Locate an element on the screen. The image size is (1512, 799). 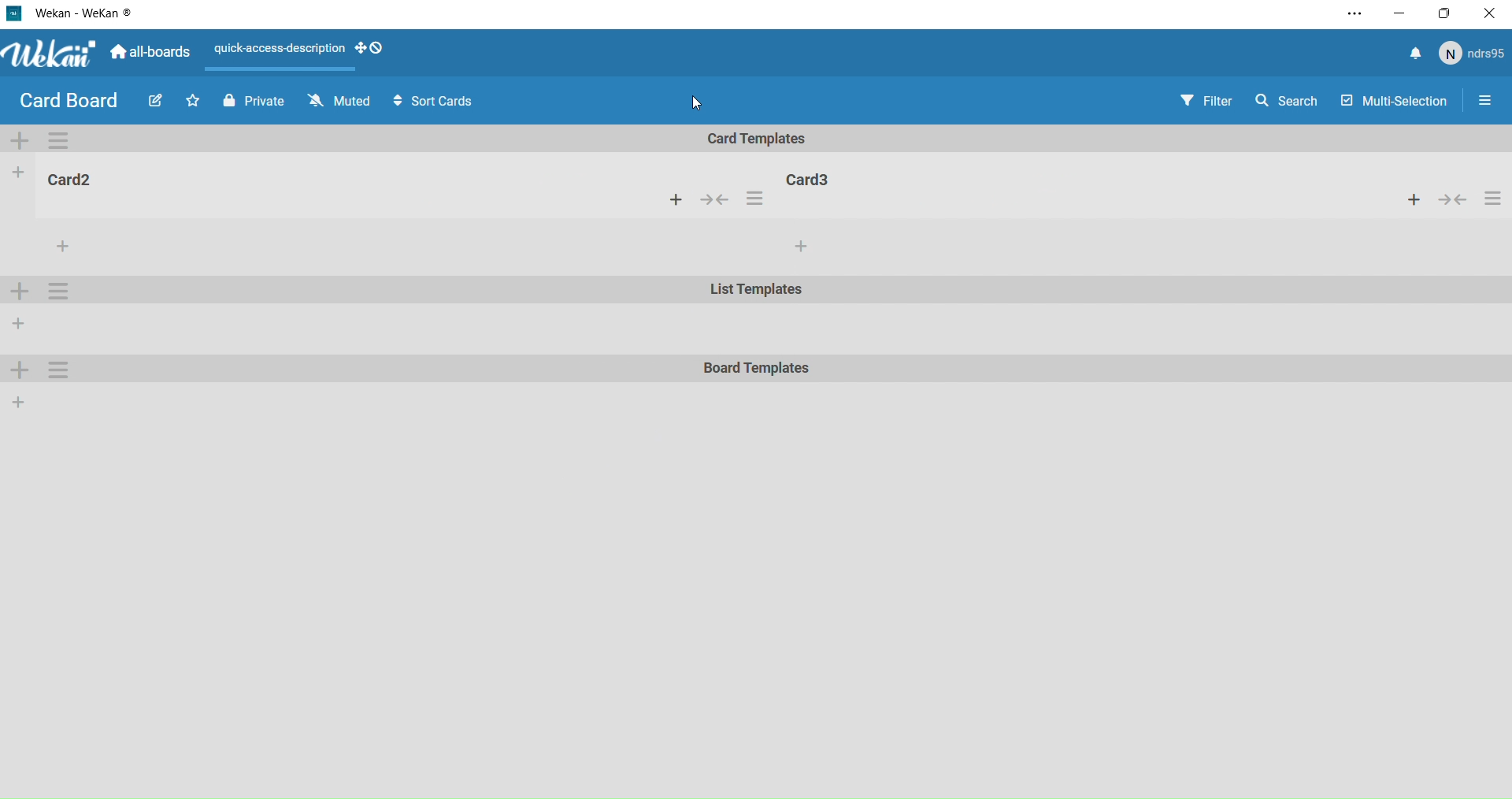
desktop drag handles is located at coordinates (372, 51).